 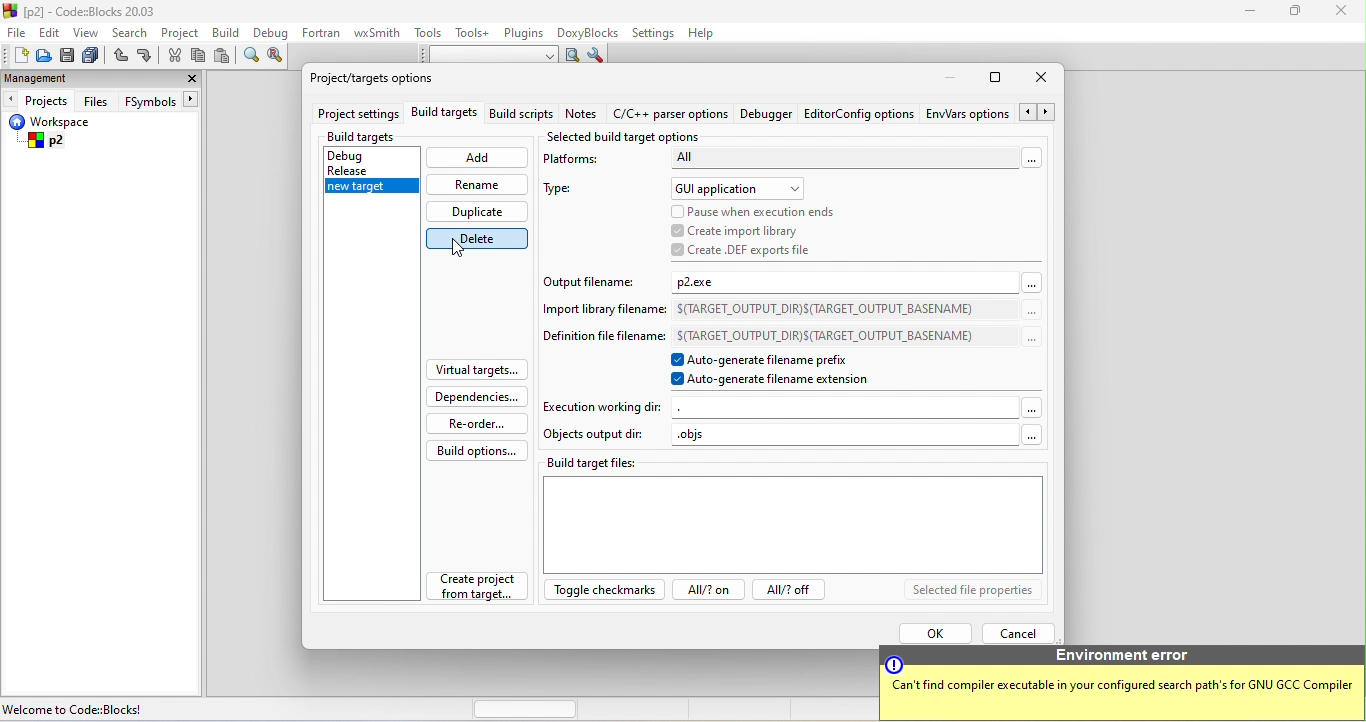 I want to click on tools++, so click(x=476, y=34).